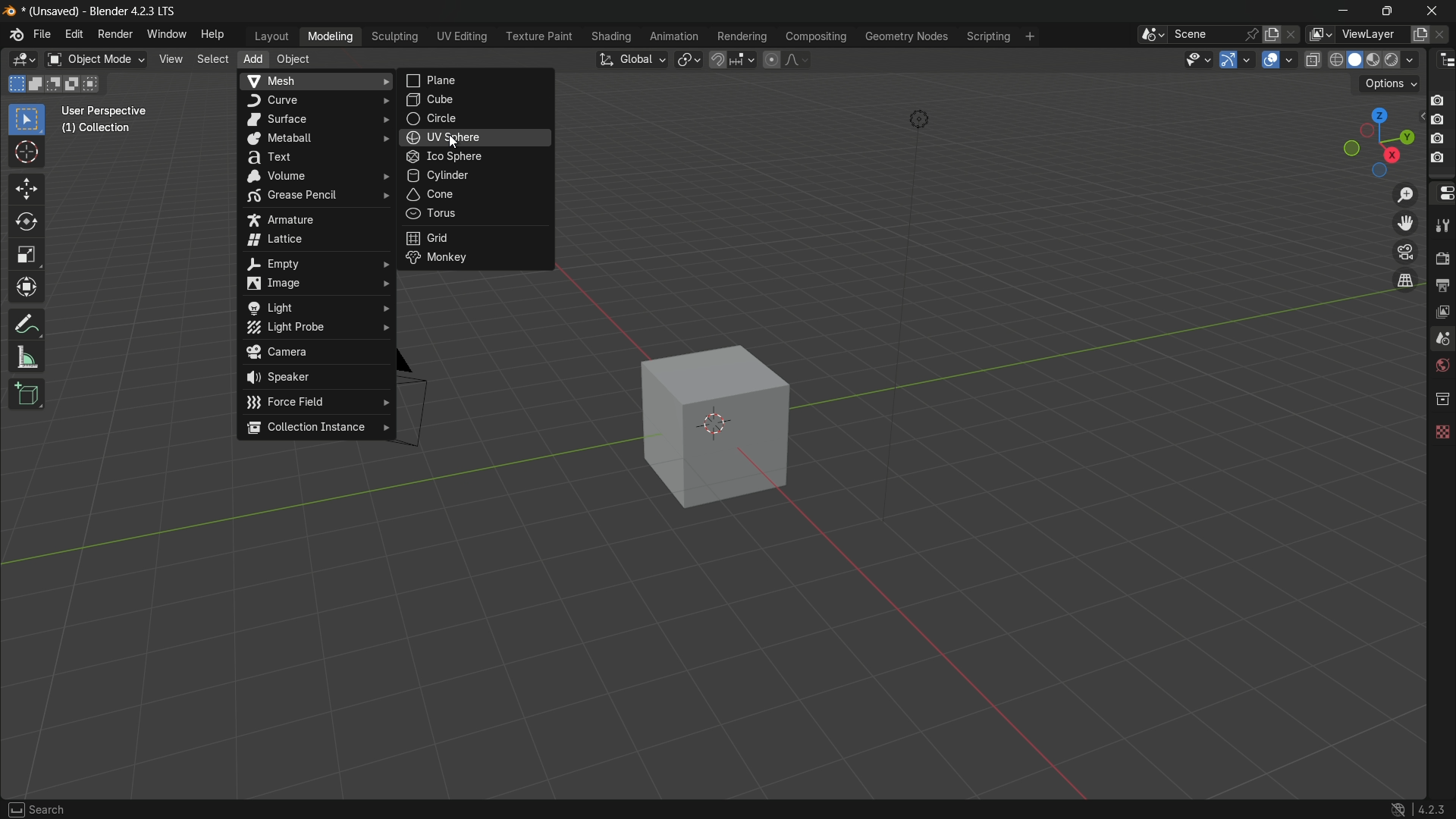 Image resolution: width=1456 pixels, height=819 pixels. Describe the element at coordinates (318, 329) in the screenshot. I see `light probe` at that location.